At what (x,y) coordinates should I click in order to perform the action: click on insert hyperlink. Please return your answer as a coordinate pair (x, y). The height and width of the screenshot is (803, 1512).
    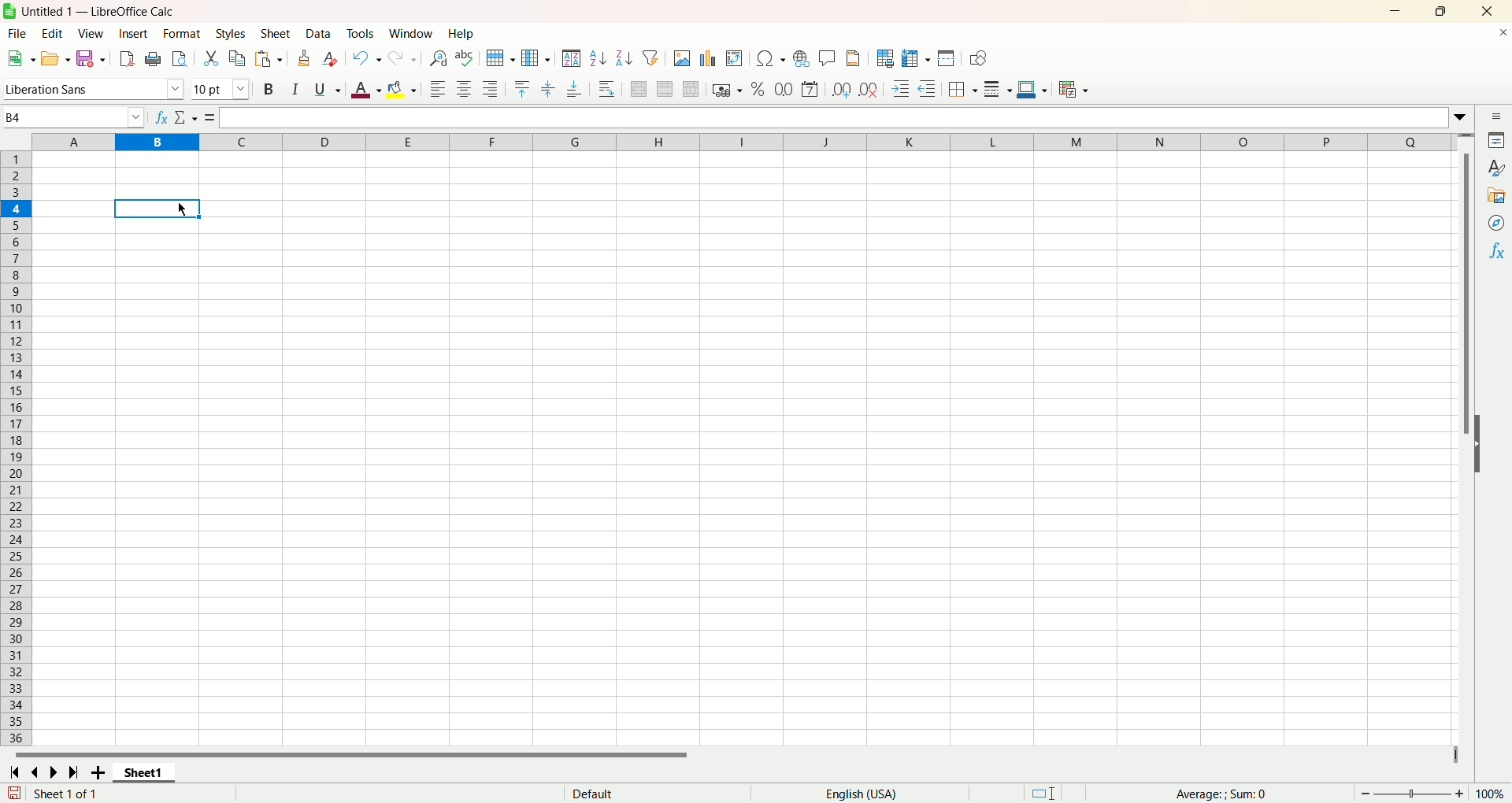
    Looking at the image, I should click on (800, 61).